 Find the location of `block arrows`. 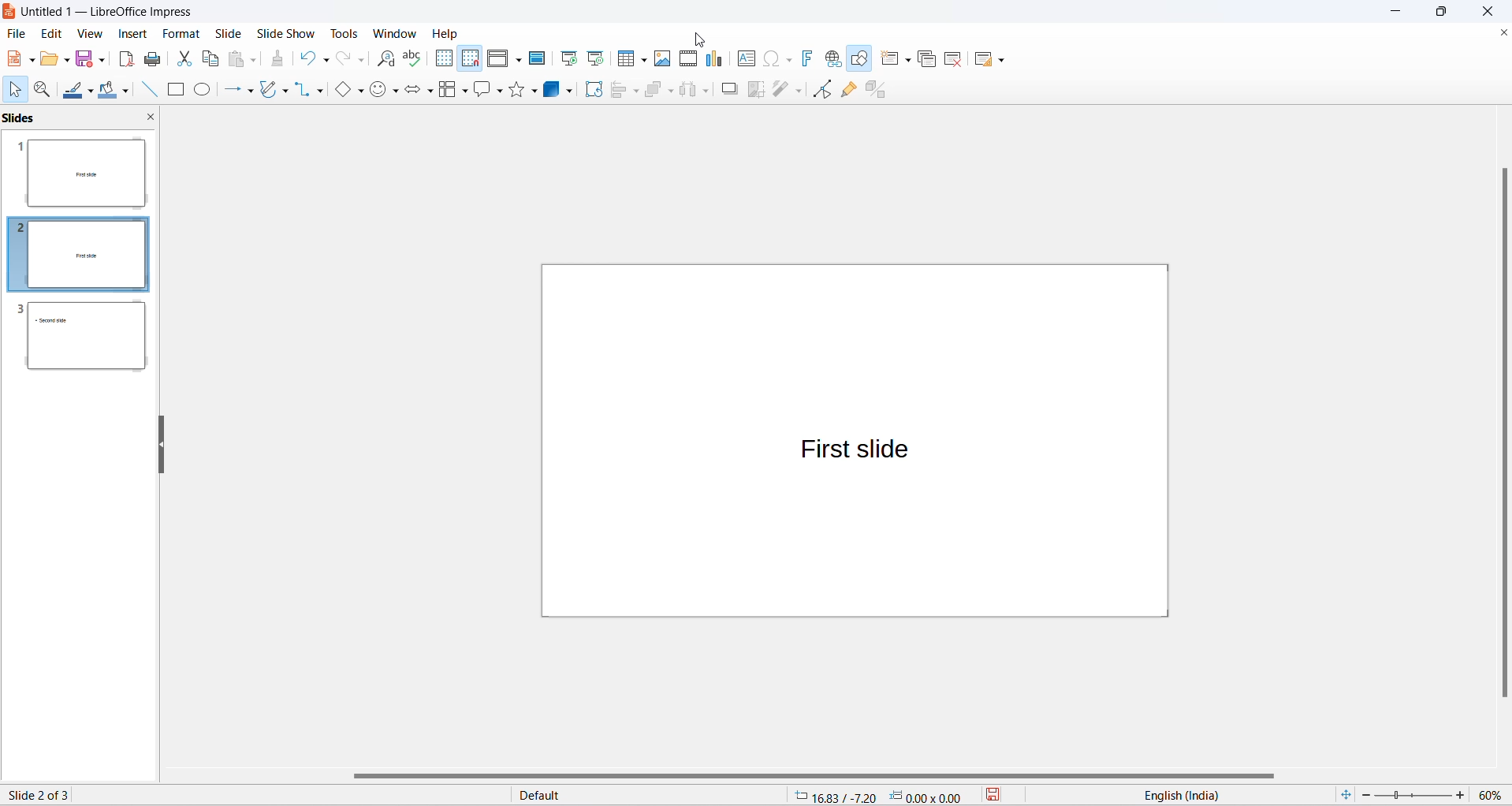

block arrows is located at coordinates (414, 90).